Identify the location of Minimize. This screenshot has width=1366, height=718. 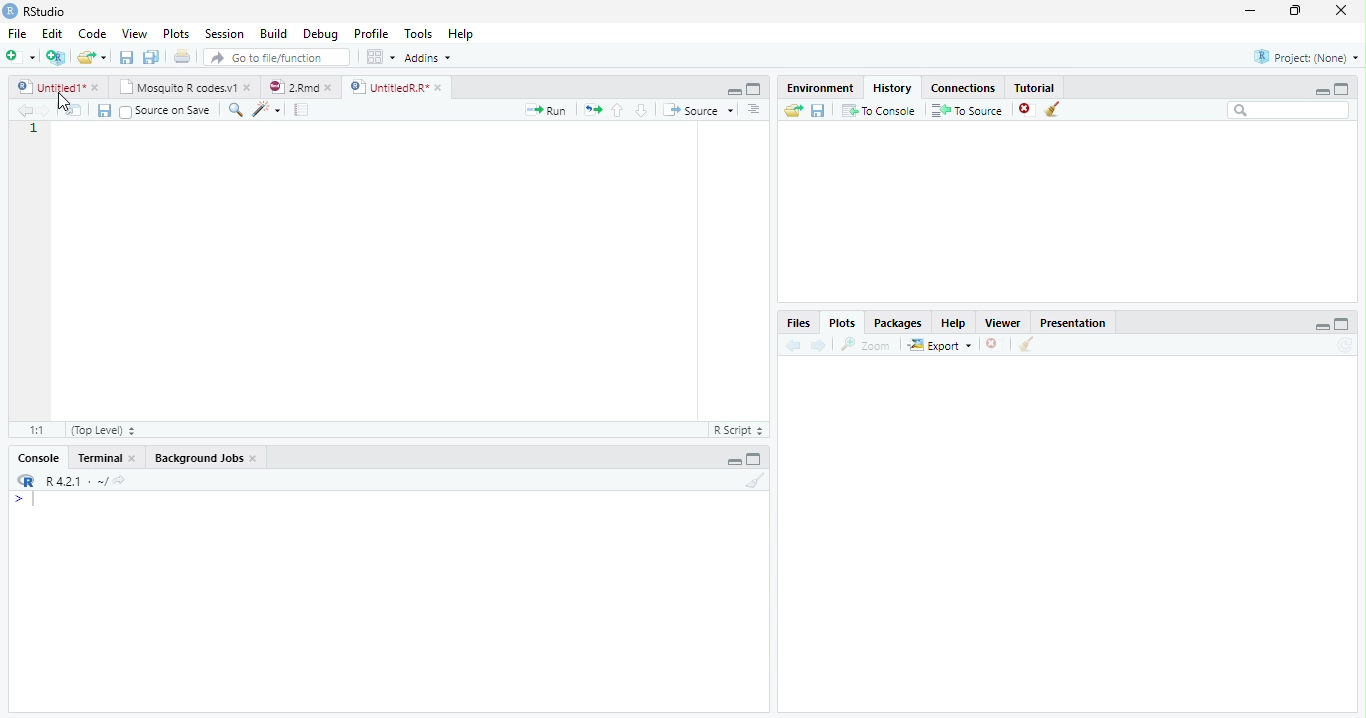
(733, 462).